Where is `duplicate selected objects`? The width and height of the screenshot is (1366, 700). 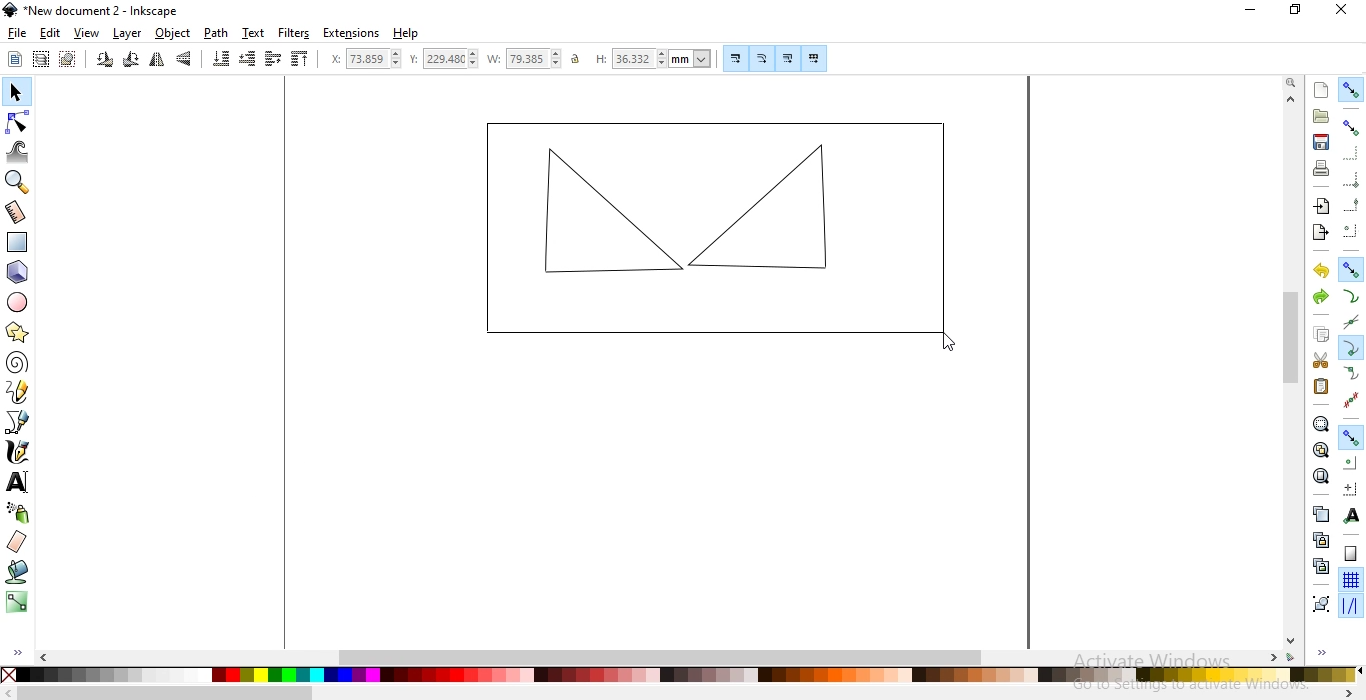
duplicate selected objects is located at coordinates (1320, 513).